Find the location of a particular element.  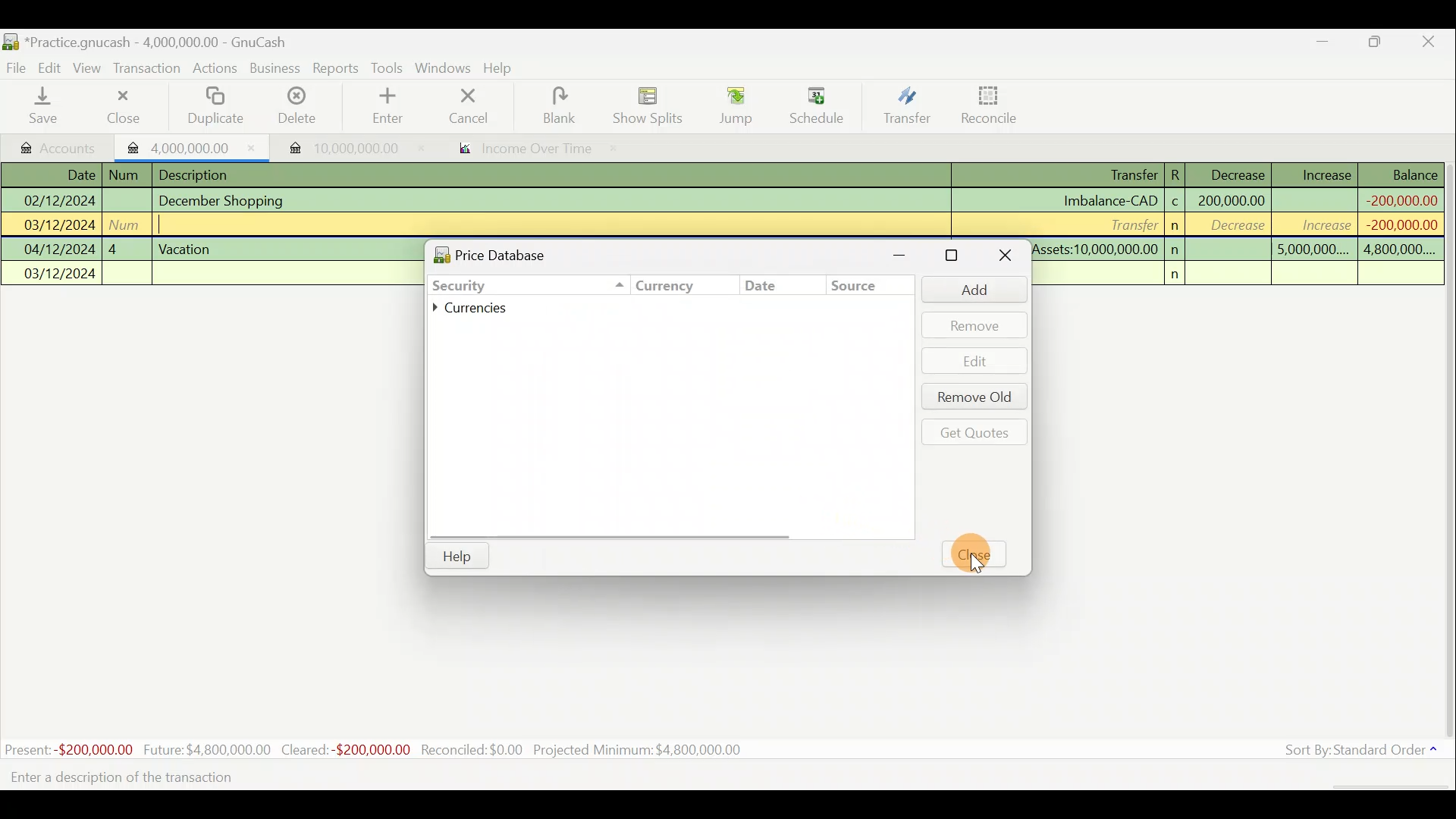

Get quotes is located at coordinates (971, 431).